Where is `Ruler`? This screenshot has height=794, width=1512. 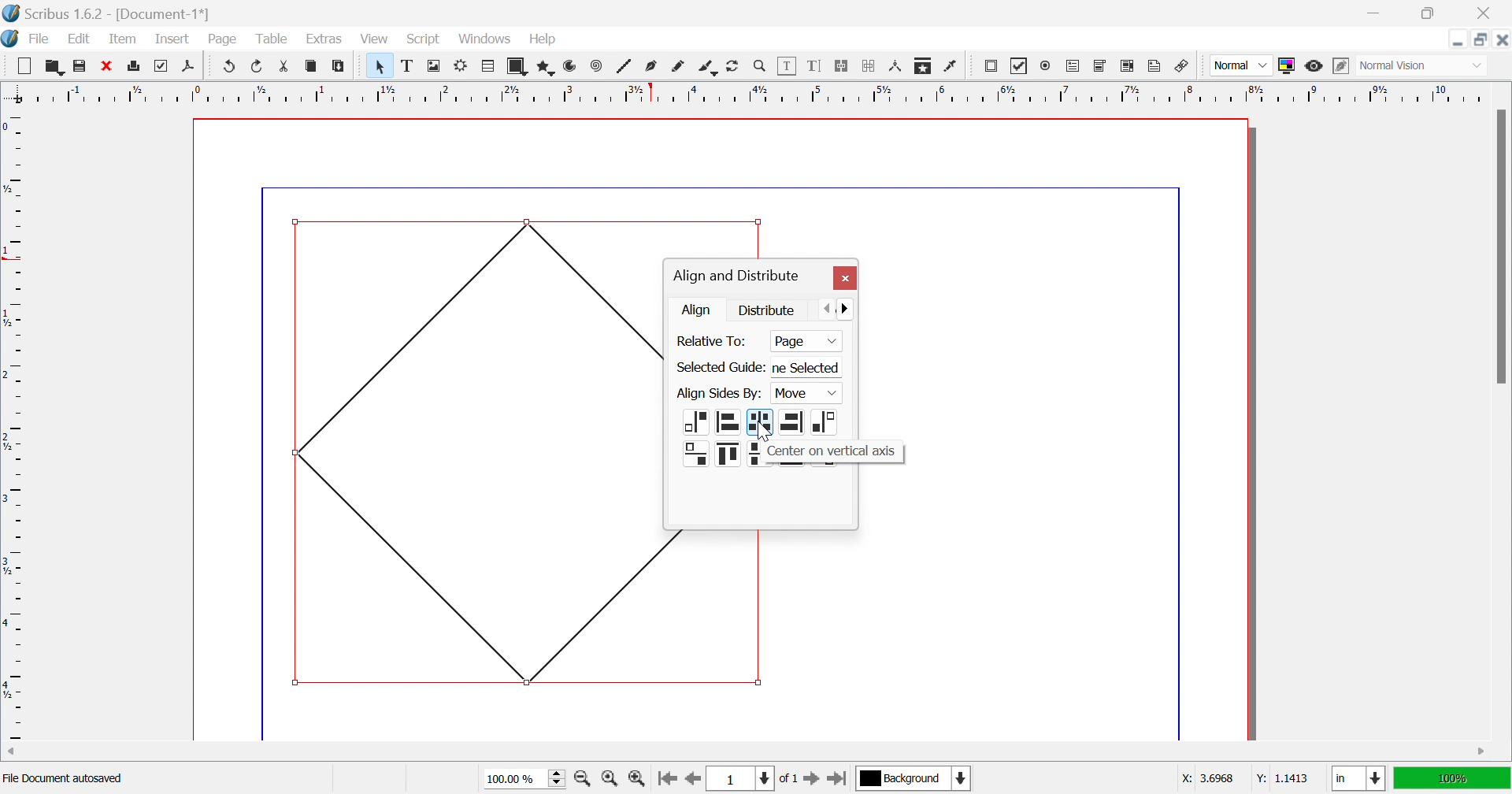 Ruler is located at coordinates (14, 425).